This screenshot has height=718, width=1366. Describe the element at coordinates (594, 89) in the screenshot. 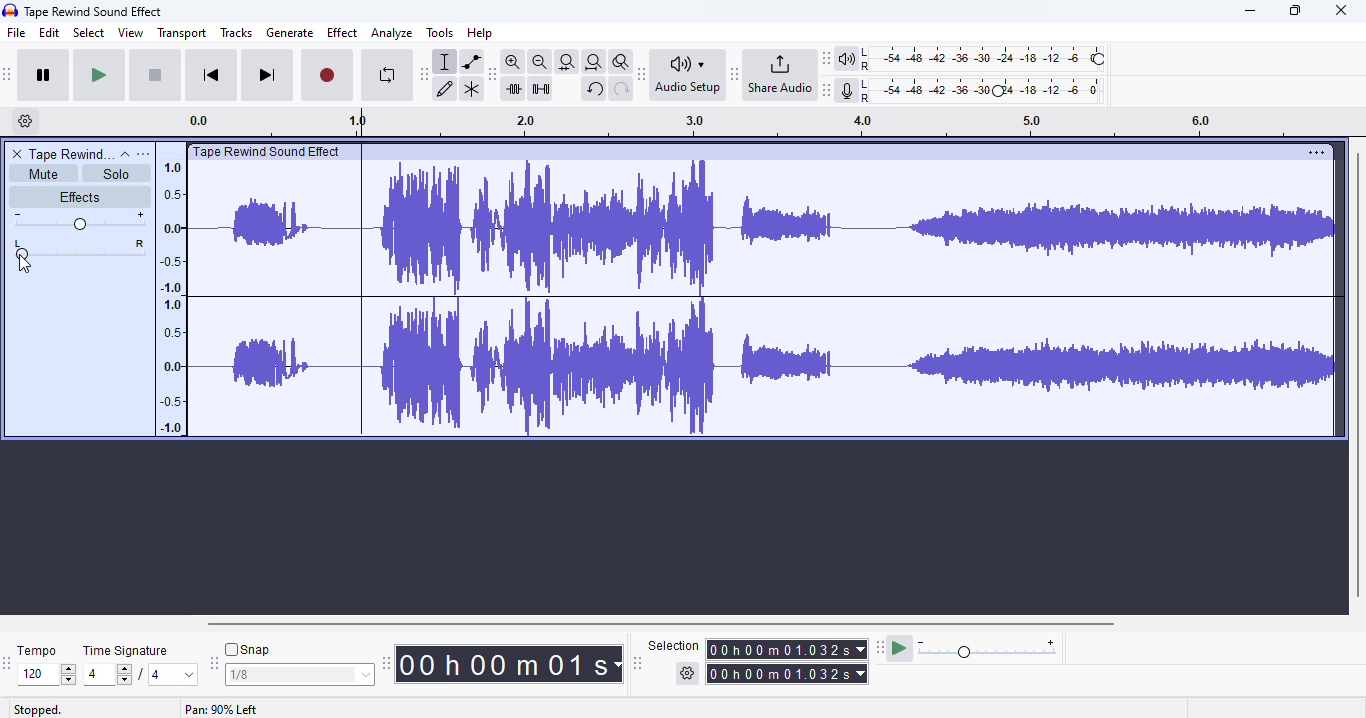

I see `undo` at that location.